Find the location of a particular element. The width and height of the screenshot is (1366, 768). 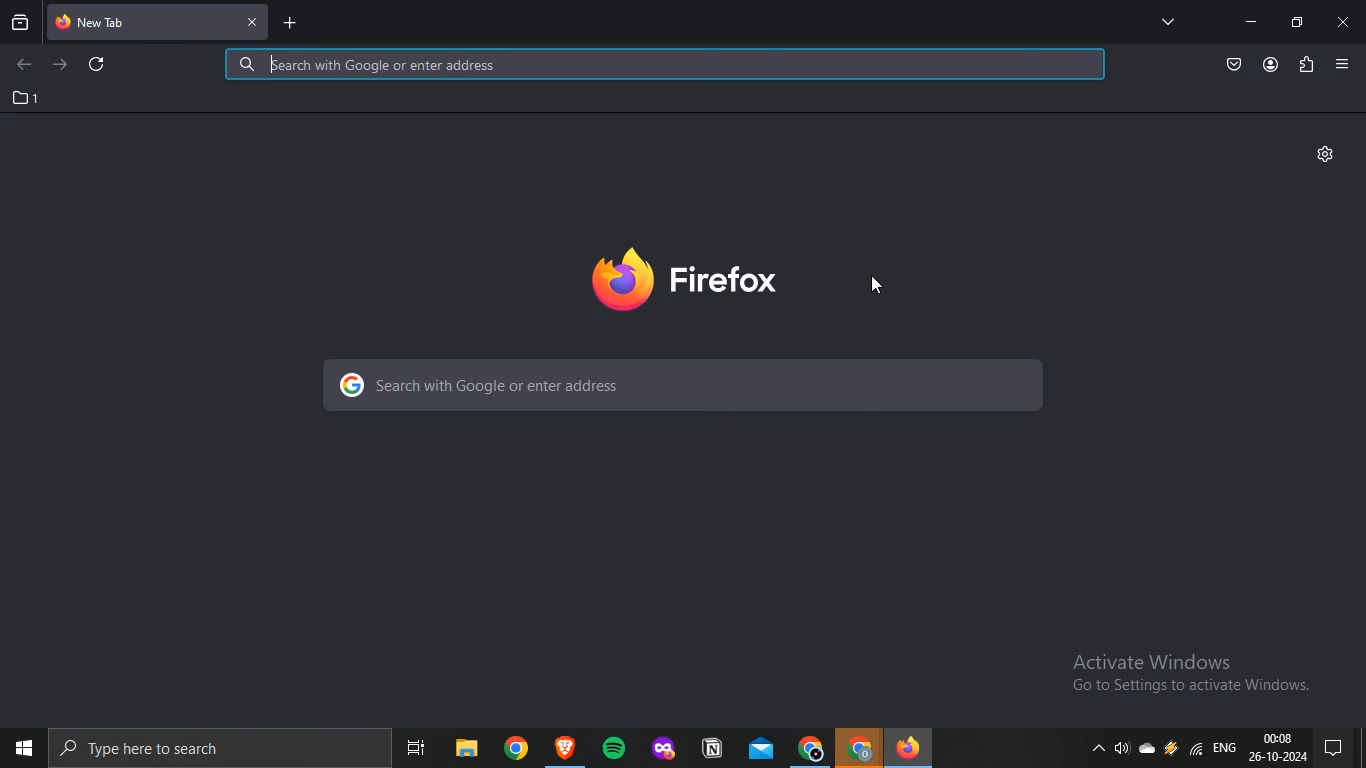

back is located at coordinates (23, 65).